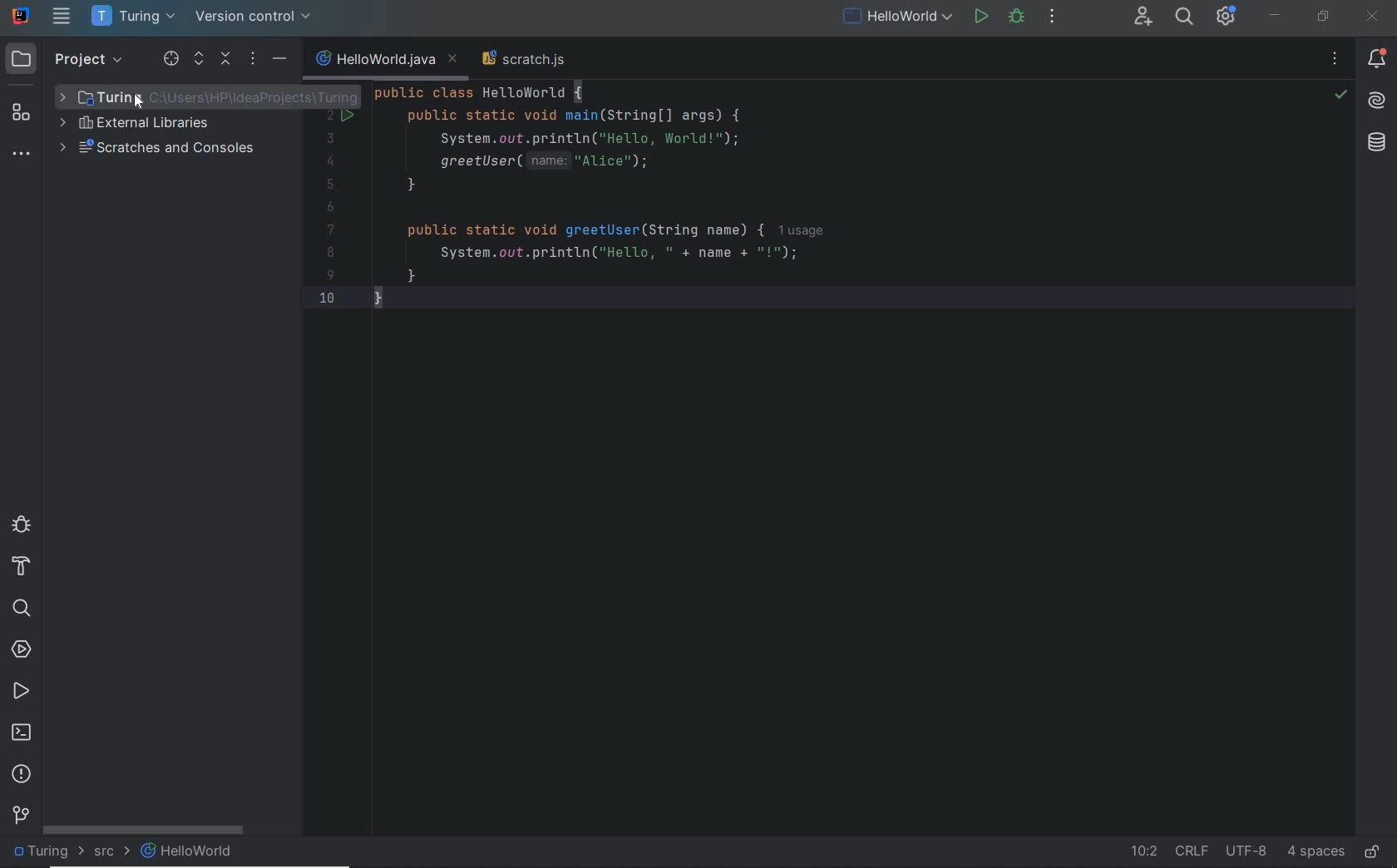  What do you see at coordinates (980, 18) in the screenshot?
I see `run` at bounding box center [980, 18].